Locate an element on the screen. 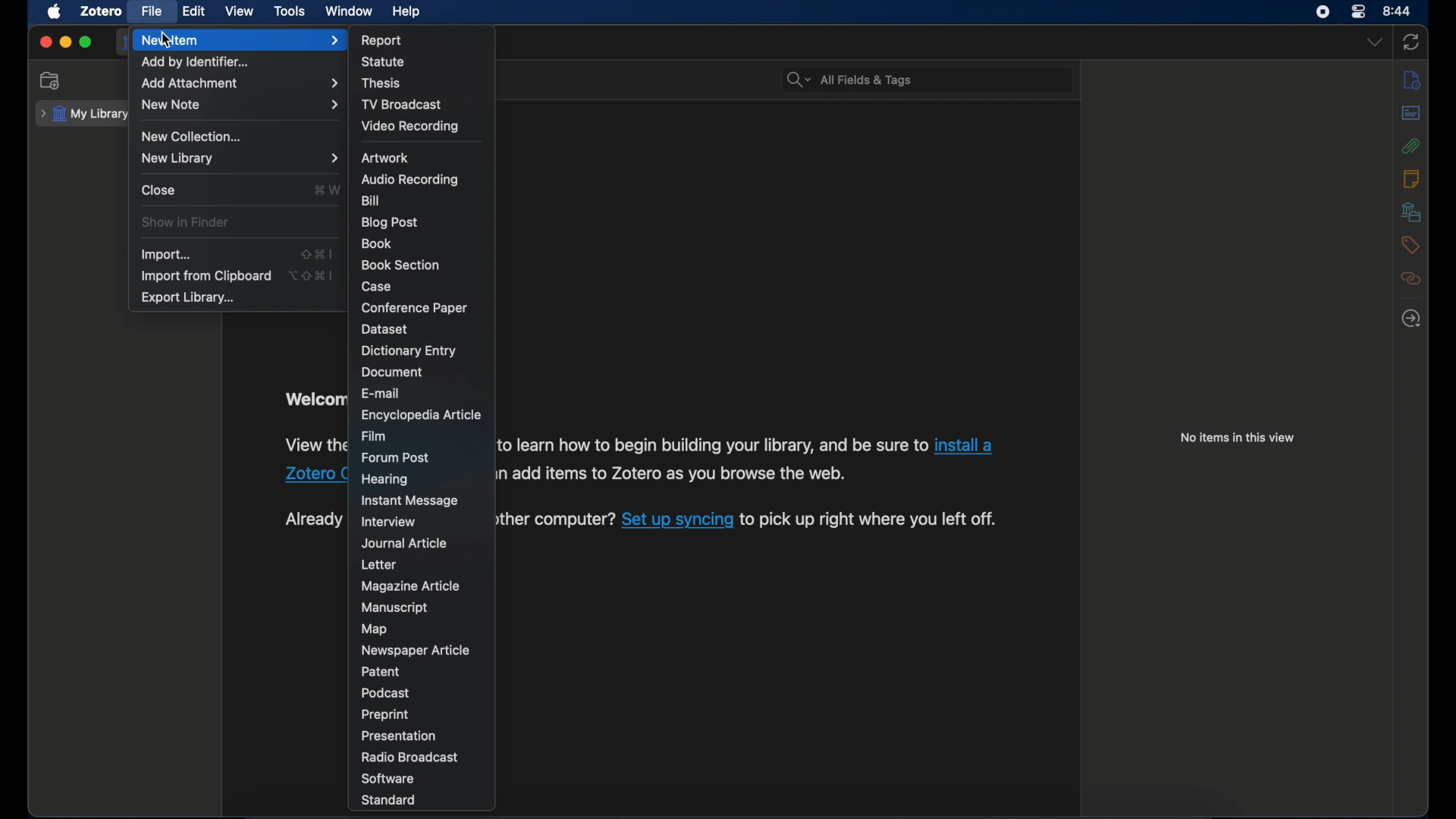 The height and width of the screenshot is (819, 1456). software information is located at coordinates (711, 444).